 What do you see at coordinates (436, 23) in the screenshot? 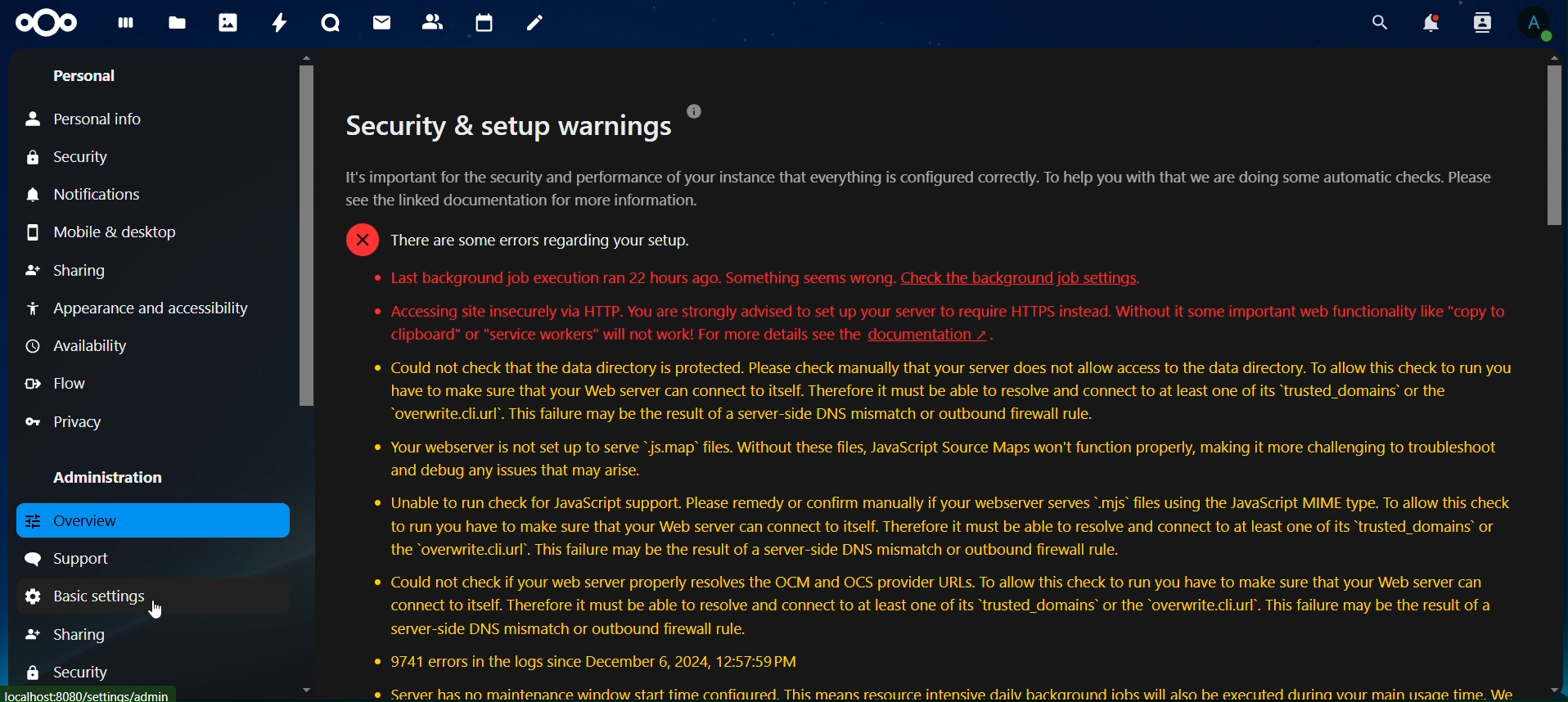
I see `contacts` at bounding box center [436, 23].